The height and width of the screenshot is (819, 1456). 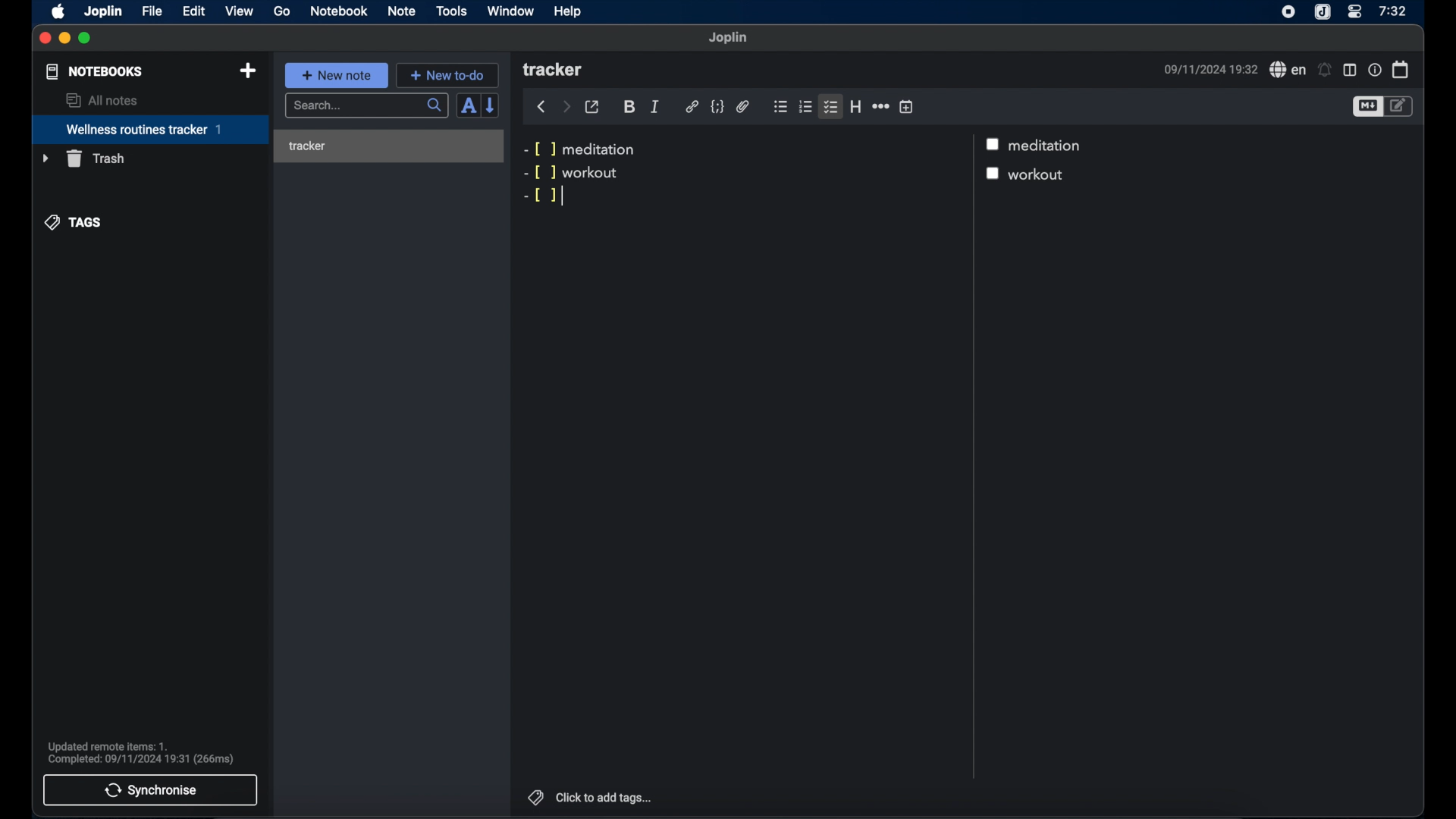 I want to click on screen recorder, so click(x=1288, y=11).